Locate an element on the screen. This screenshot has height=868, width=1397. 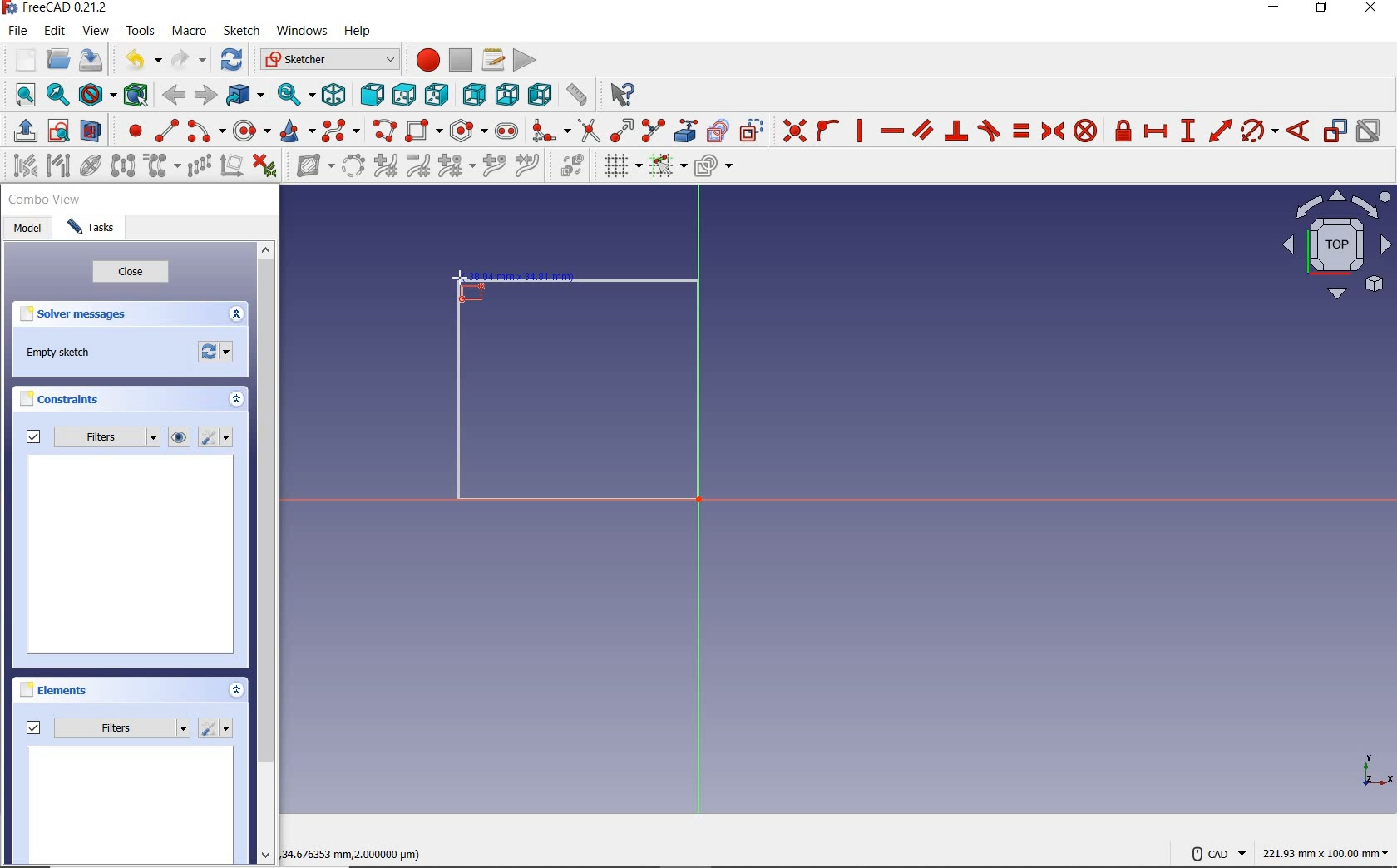
switch between workbenches is located at coordinates (327, 60).